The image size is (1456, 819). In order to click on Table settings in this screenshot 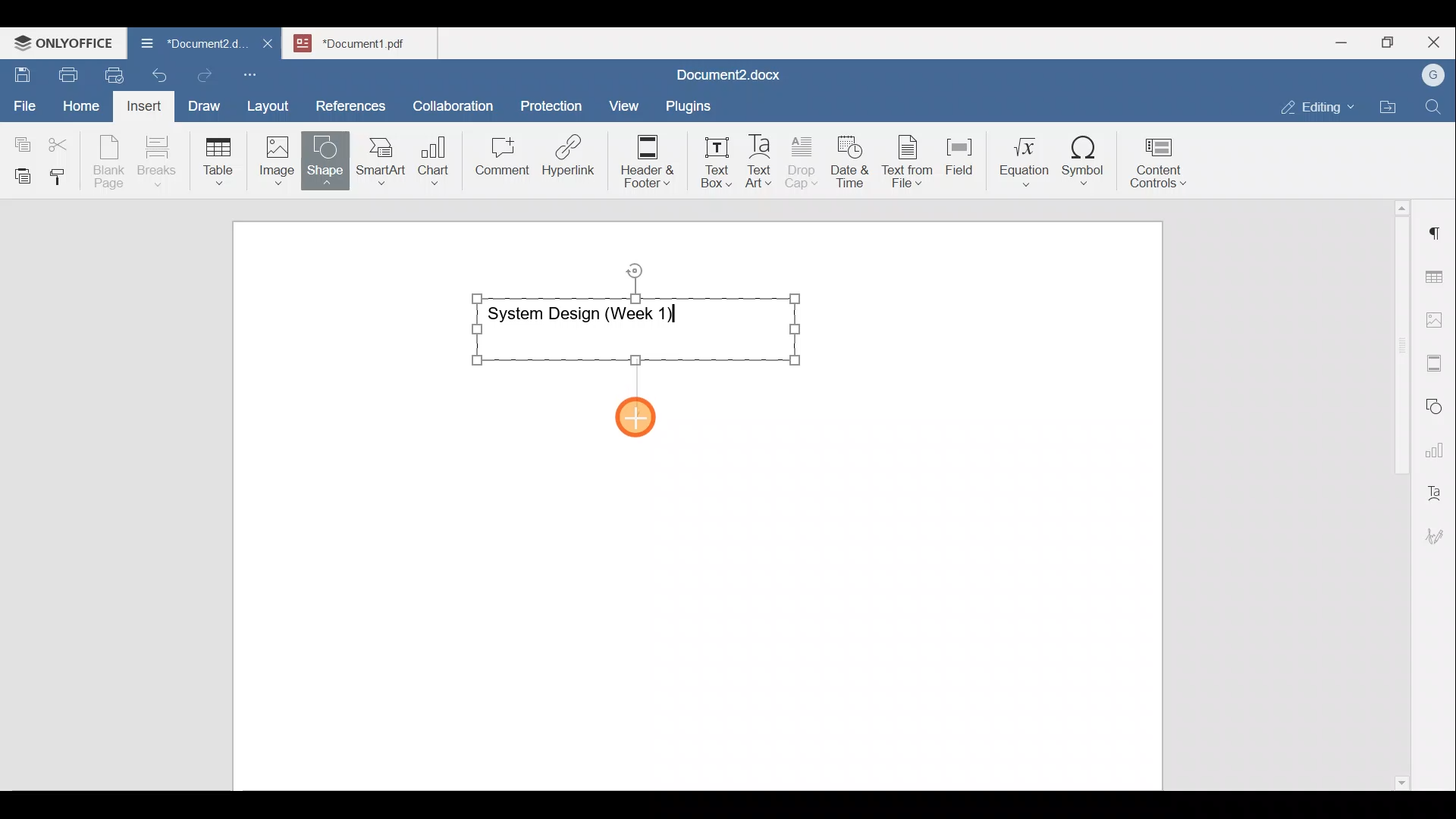, I will do `click(1437, 275)`.